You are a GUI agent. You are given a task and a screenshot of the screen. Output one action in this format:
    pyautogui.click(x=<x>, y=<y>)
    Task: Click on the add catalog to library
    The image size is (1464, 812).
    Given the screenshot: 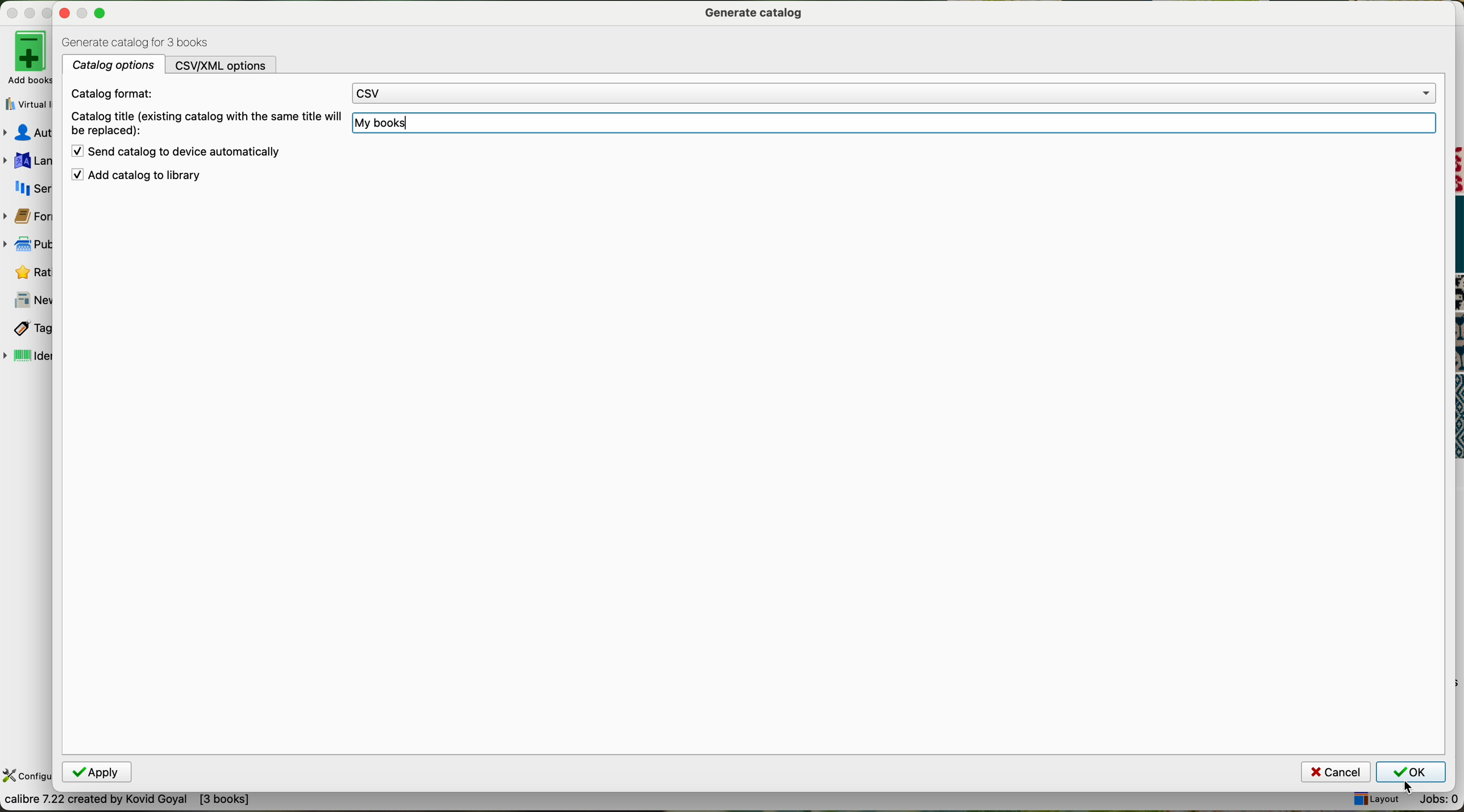 What is the action you would take?
    pyautogui.click(x=135, y=174)
    